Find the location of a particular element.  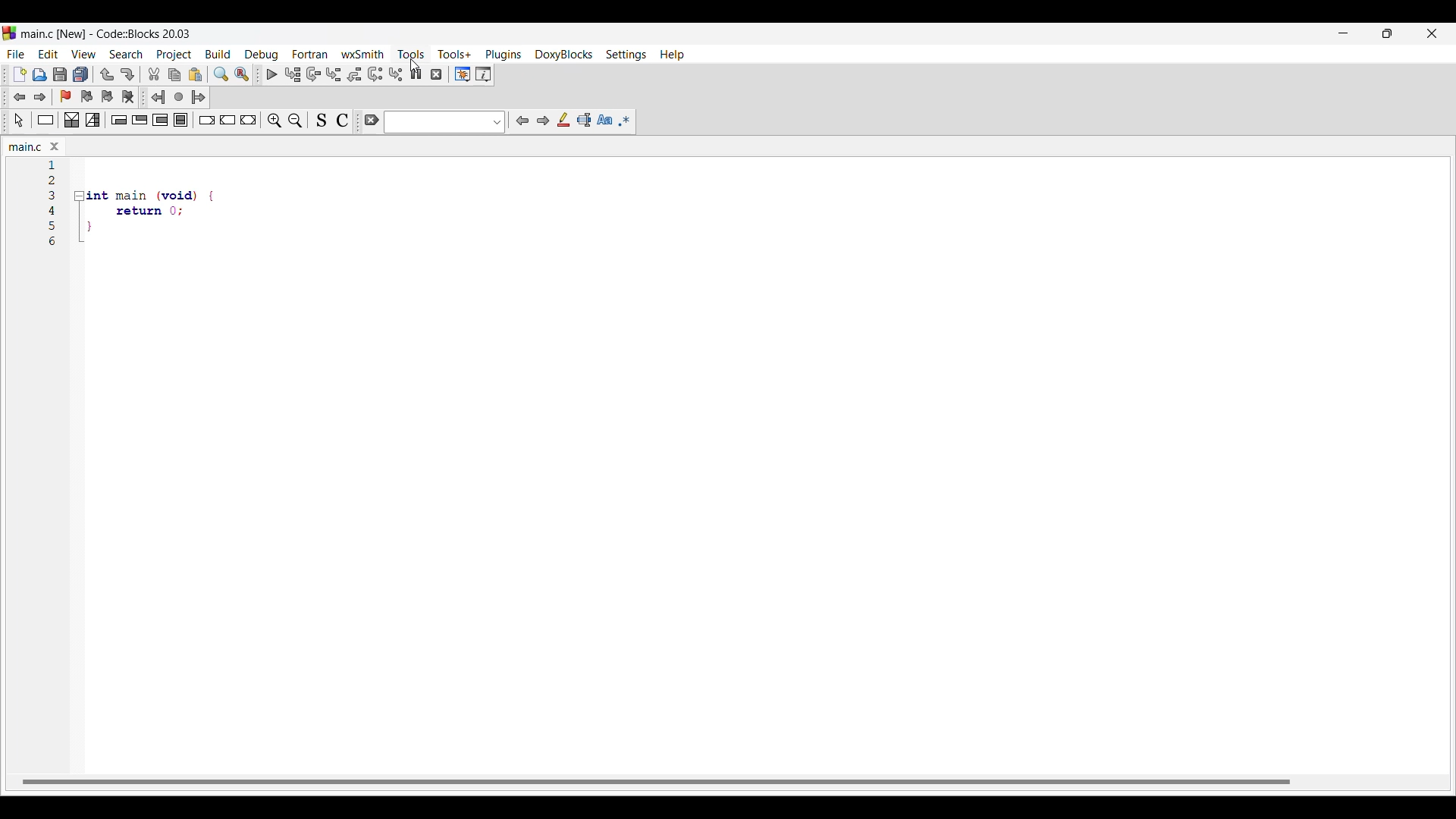

Various info is located at coordinates (483, 74).